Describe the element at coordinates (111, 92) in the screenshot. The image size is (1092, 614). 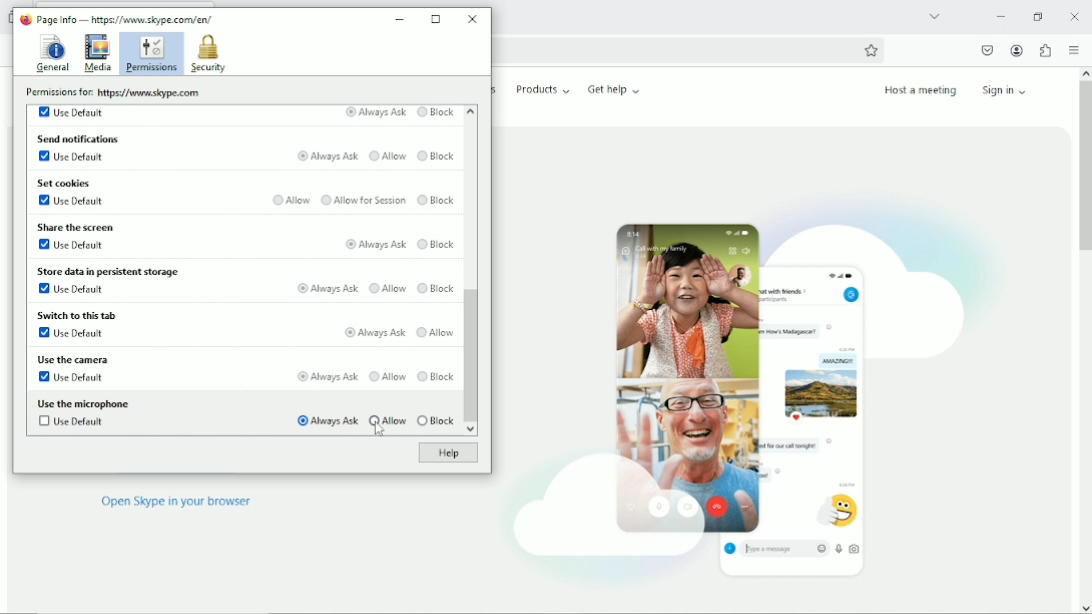
I see `Permissions for` at that location.